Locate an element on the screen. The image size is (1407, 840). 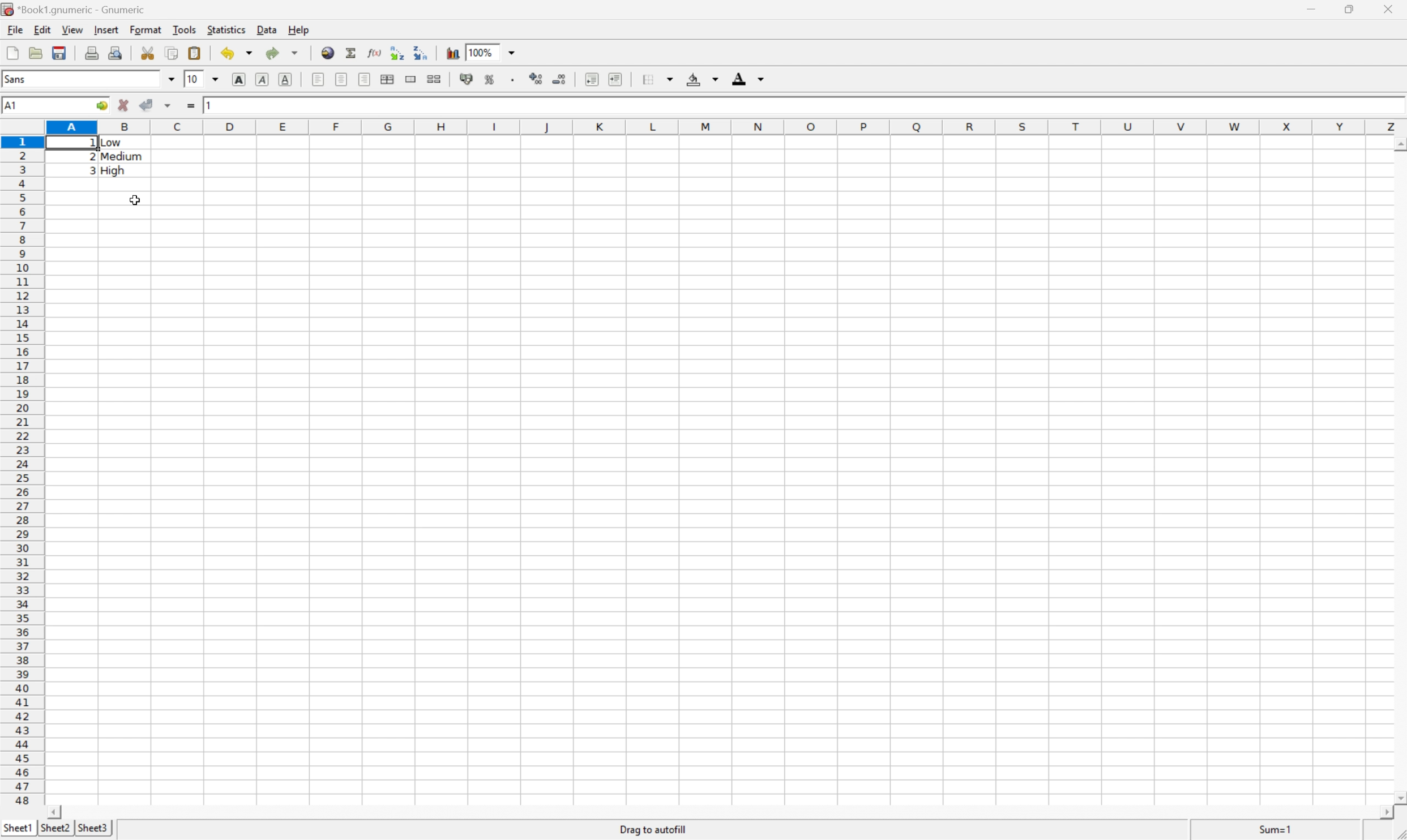
Go to is located at coordinates (100, 106).